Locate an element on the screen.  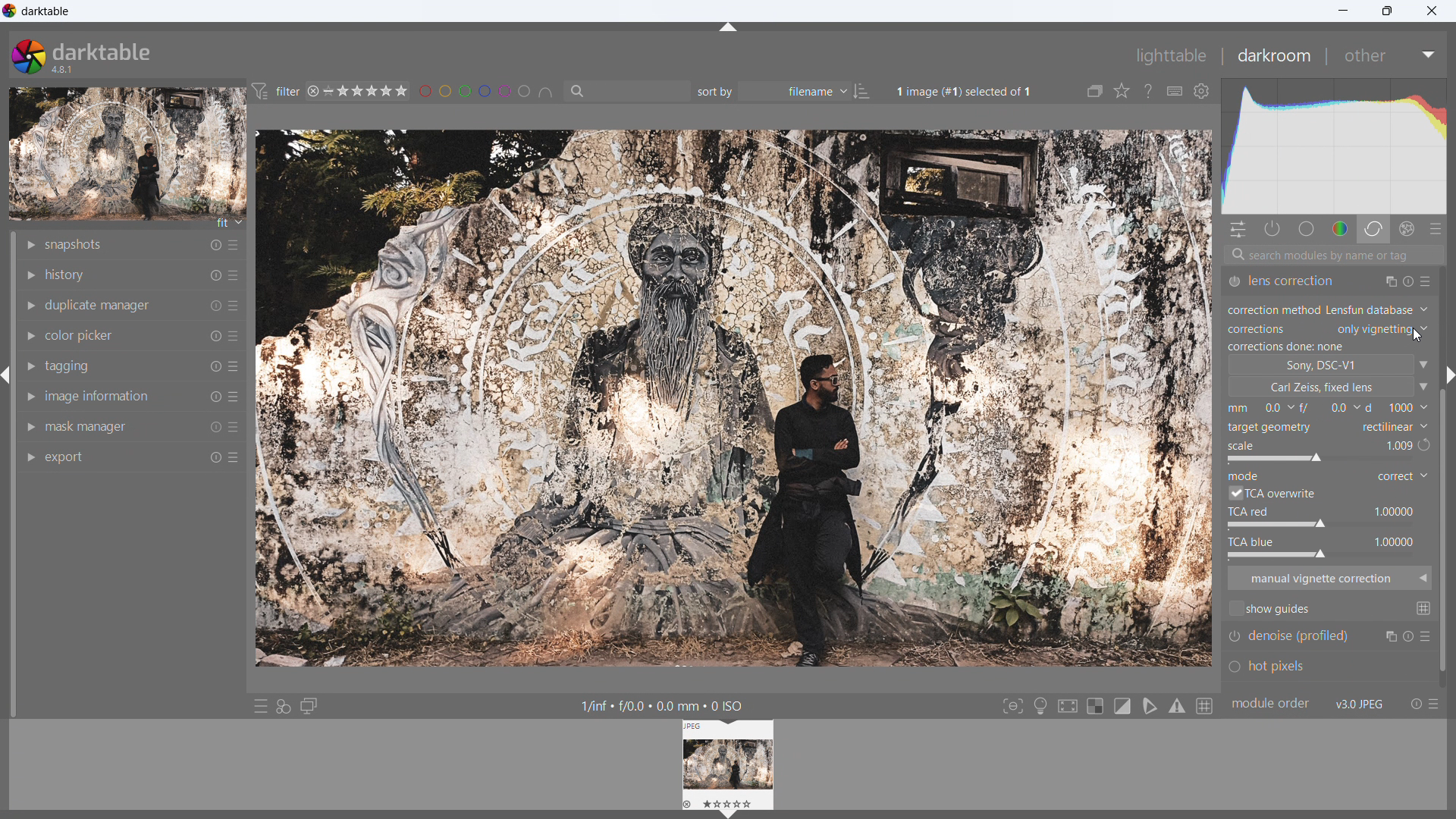
lighttable preview is located at coordinates (727, 765).